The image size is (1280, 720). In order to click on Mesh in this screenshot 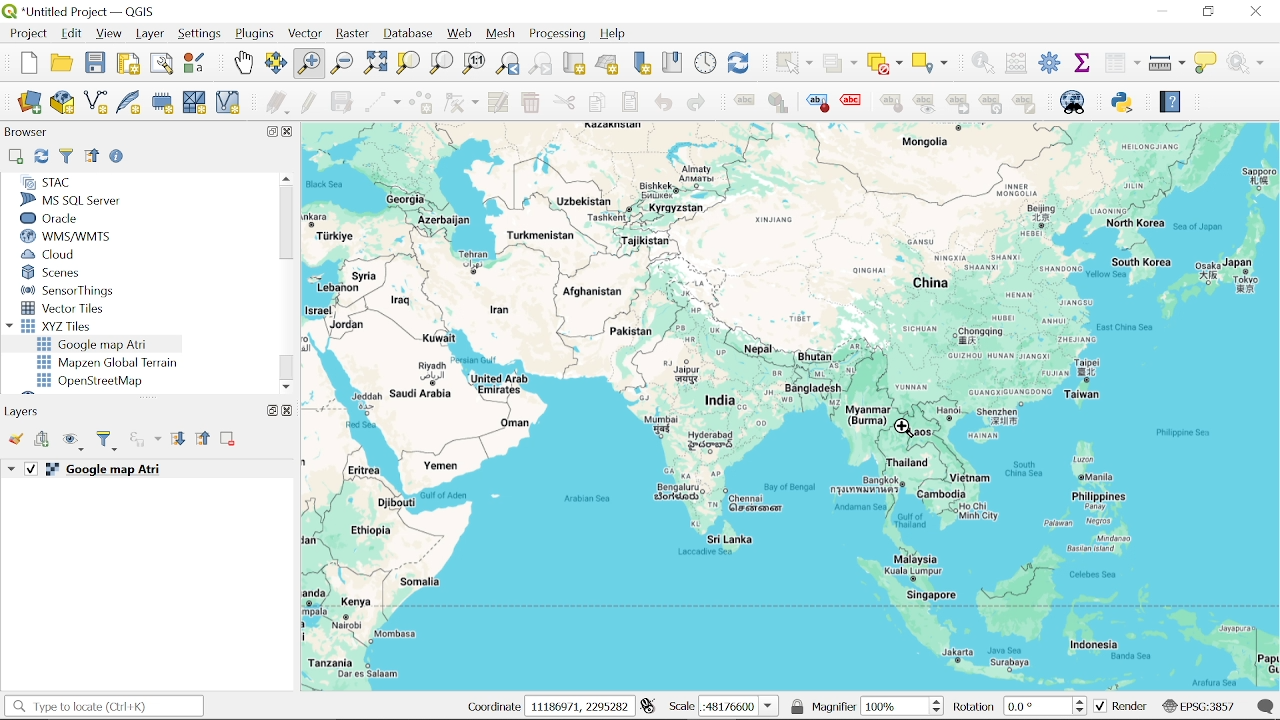, I will do `click(502, 34)`.